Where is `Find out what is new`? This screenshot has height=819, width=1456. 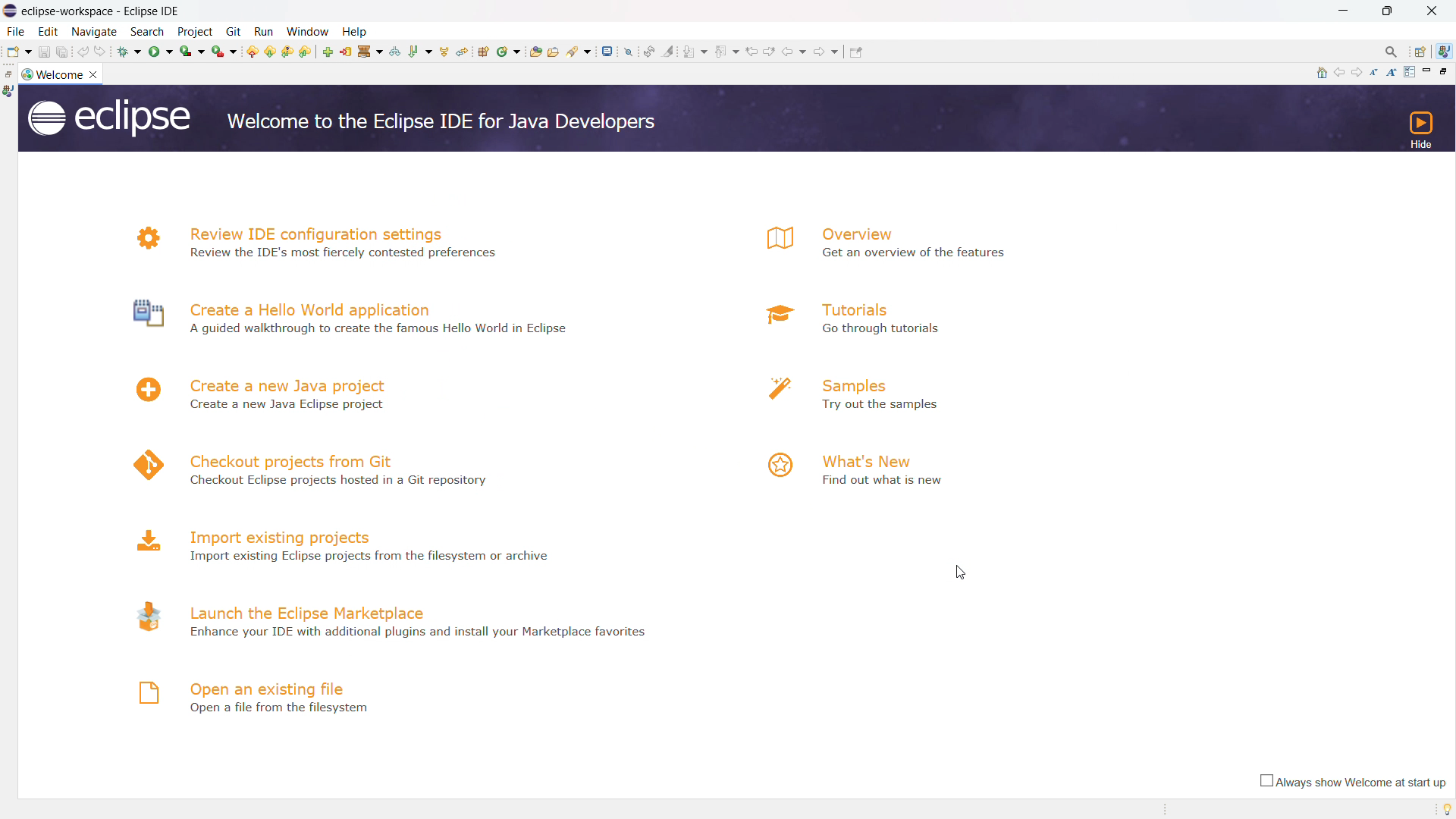
Find out what is new is located at coordinates (884, 480).